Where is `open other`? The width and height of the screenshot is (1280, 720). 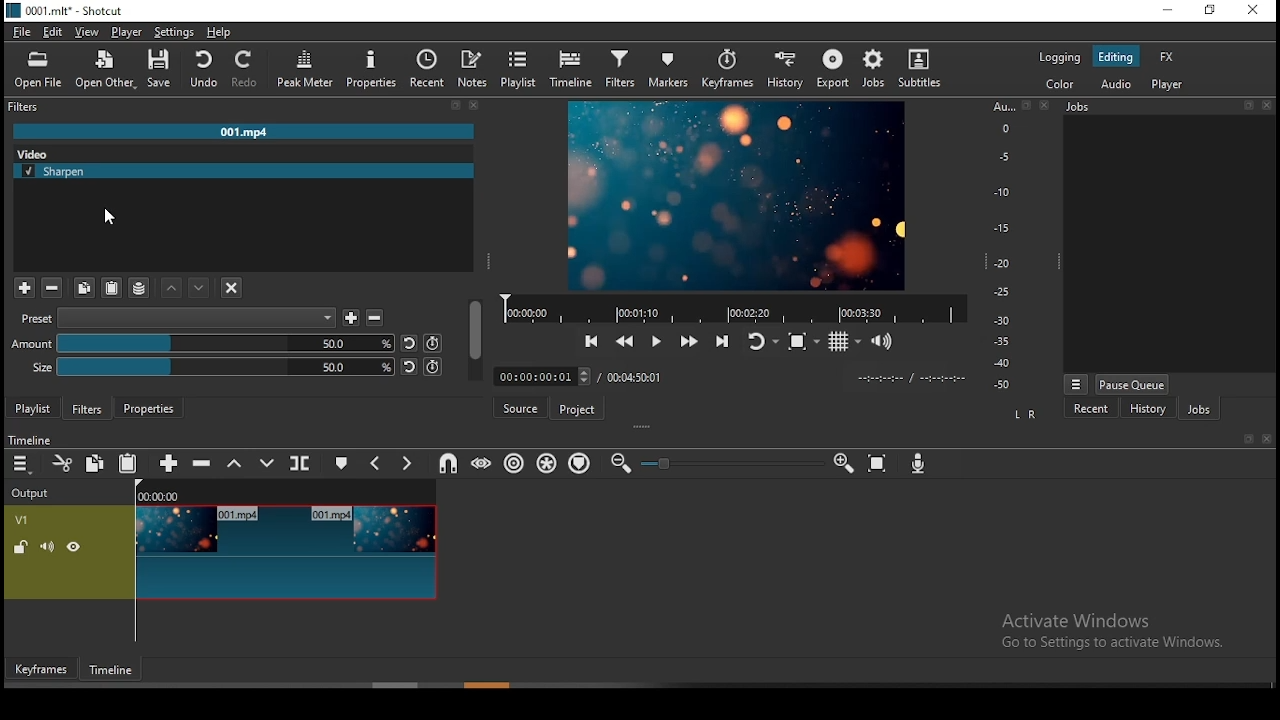 open other is located at coordinates (107, 71).